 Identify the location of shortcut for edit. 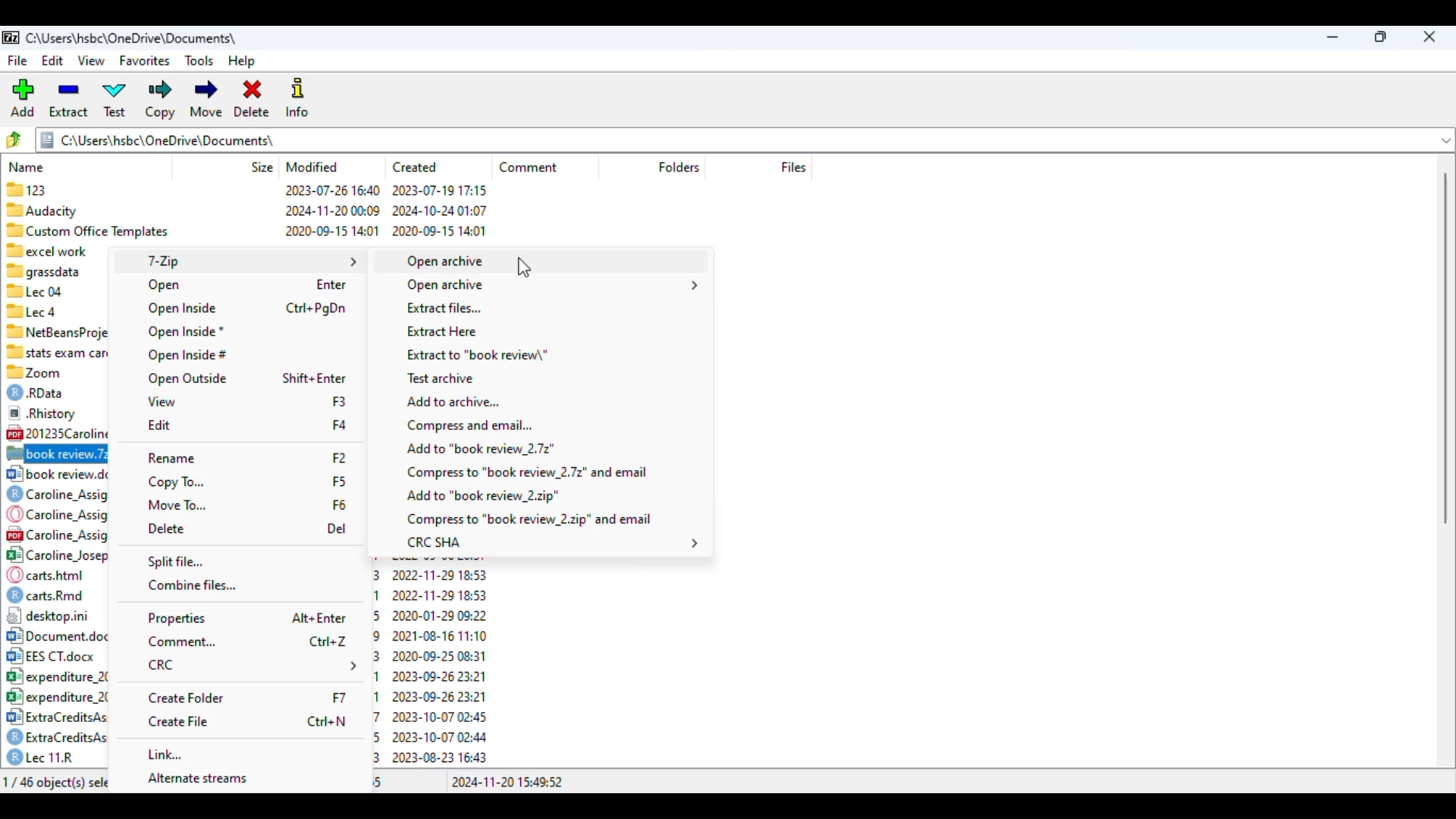
(338, 425).